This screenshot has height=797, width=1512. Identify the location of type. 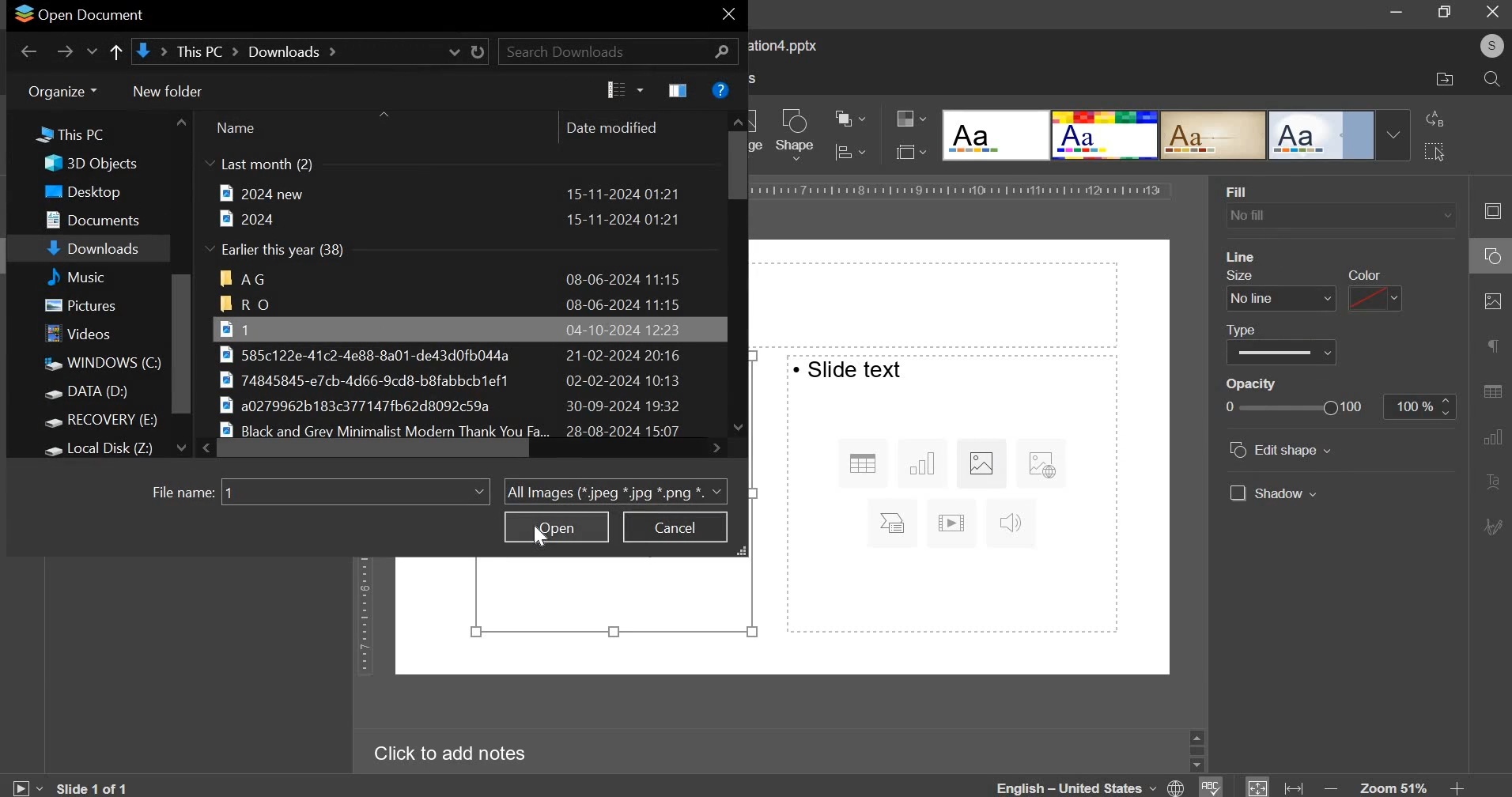
(1249, 329).